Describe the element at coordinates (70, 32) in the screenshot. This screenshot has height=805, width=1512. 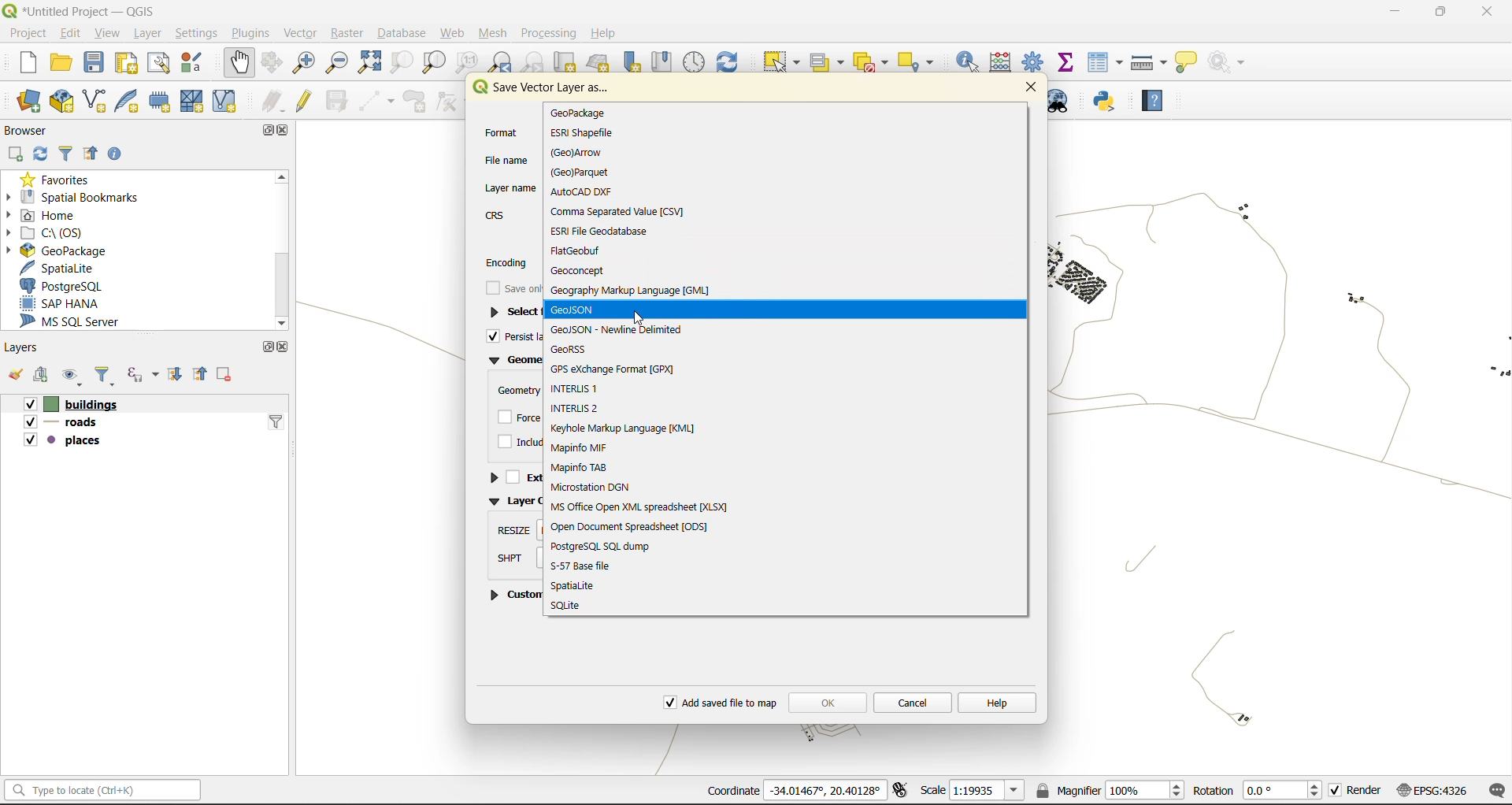
I see `edit` at that location.